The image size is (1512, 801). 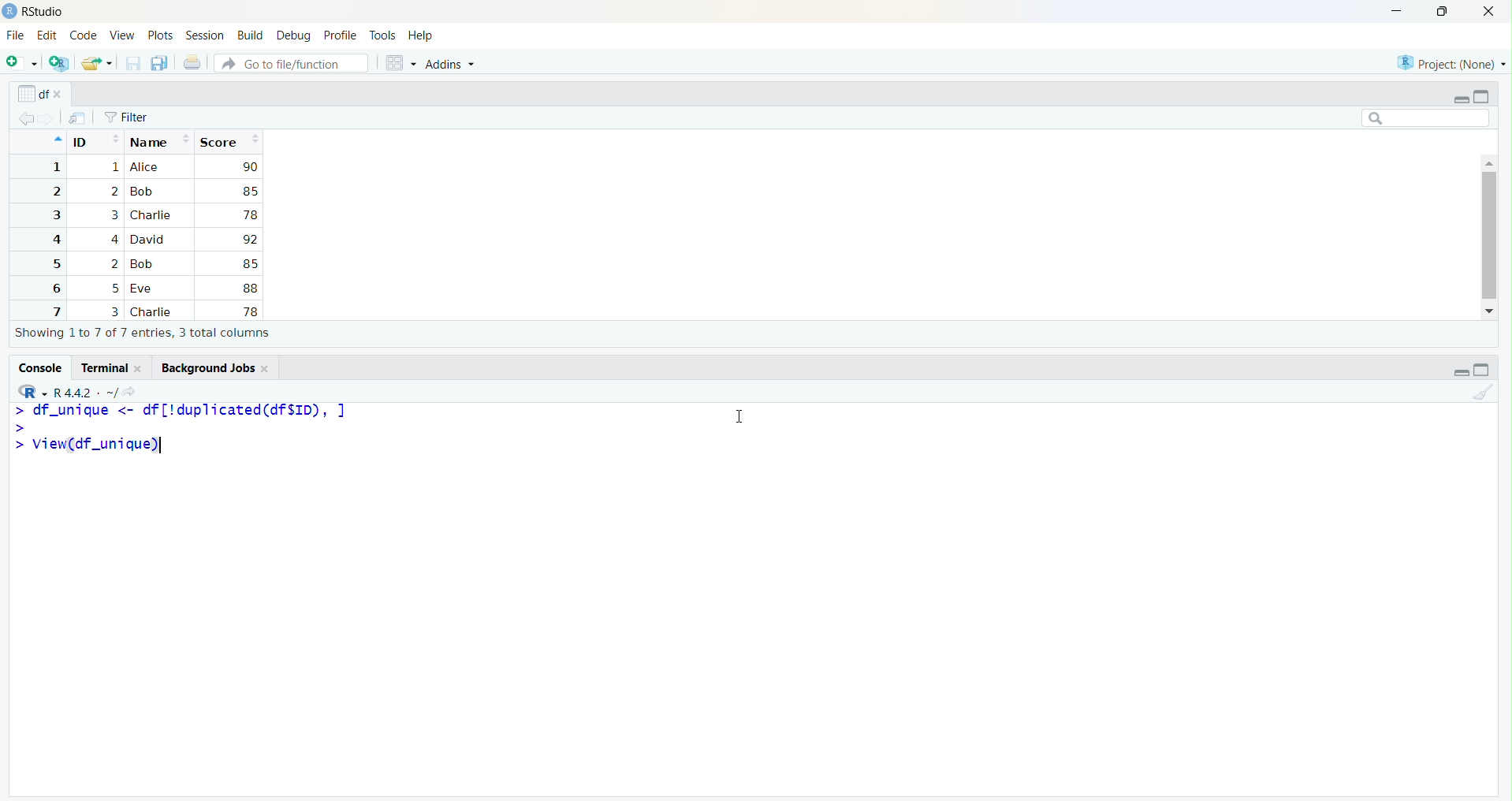 I want to click on minimize, so click(x=1460, y=372).